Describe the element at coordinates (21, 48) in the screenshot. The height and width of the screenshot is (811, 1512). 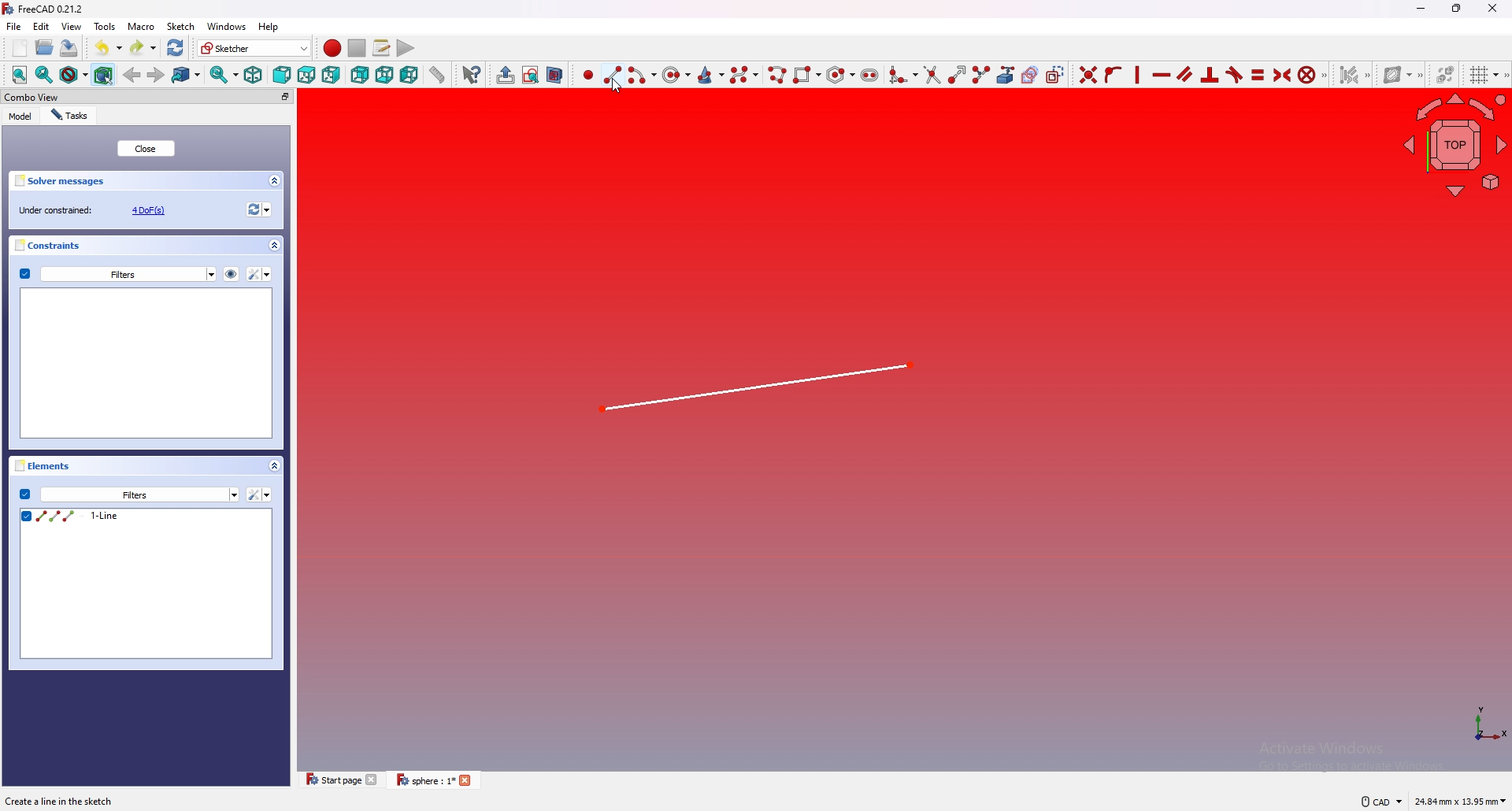
I see `New` at that location.